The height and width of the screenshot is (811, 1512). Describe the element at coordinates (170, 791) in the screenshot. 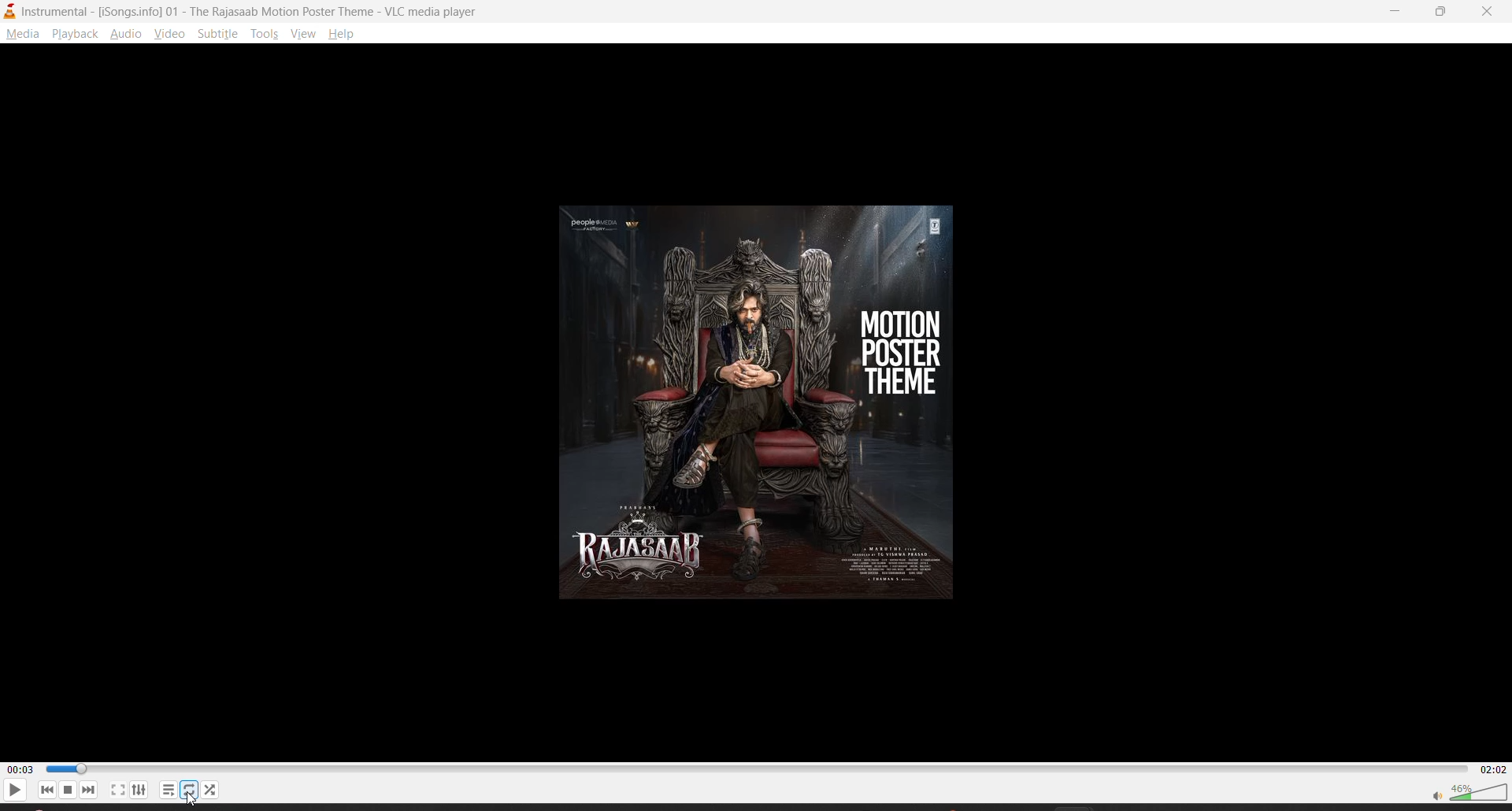

I see `playlist` at that location.